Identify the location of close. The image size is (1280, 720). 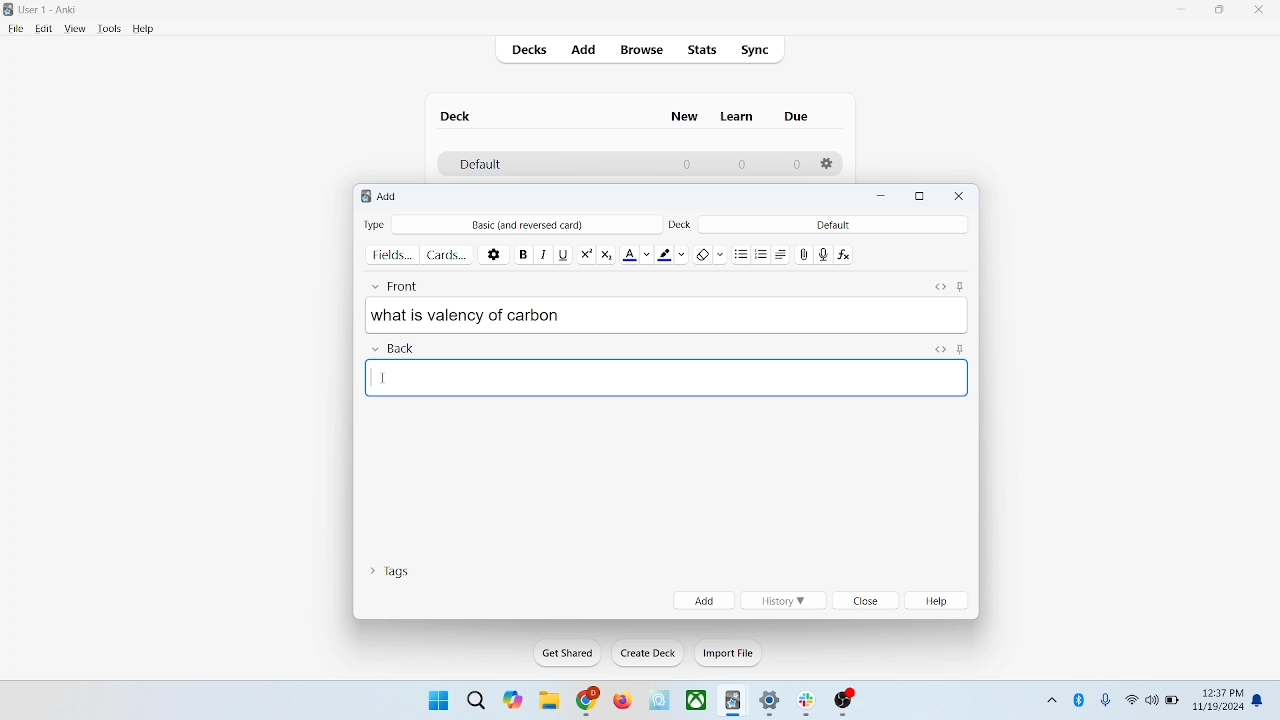
(960, 196).